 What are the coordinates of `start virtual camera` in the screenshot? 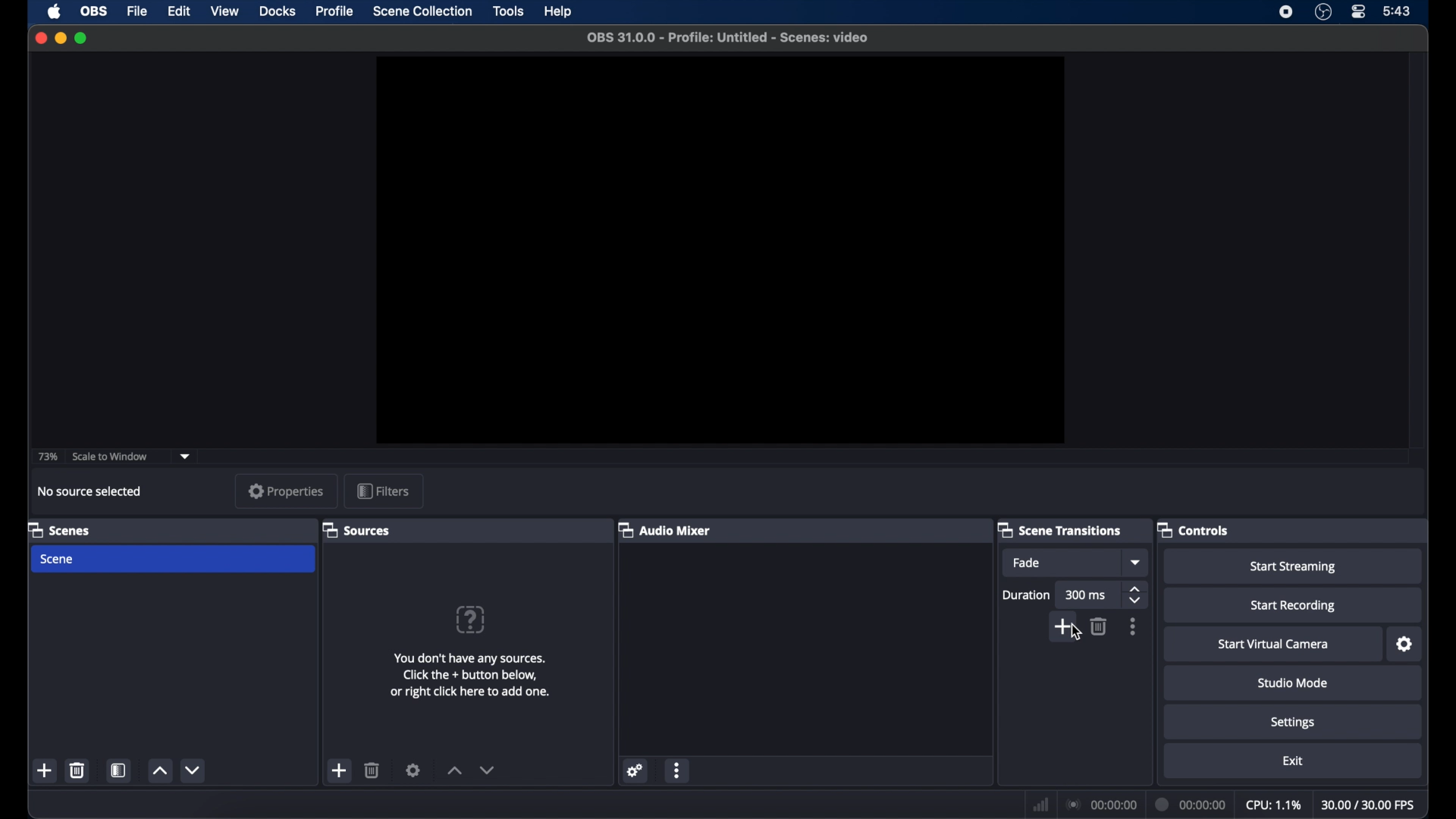 It's located at (1273, 644).